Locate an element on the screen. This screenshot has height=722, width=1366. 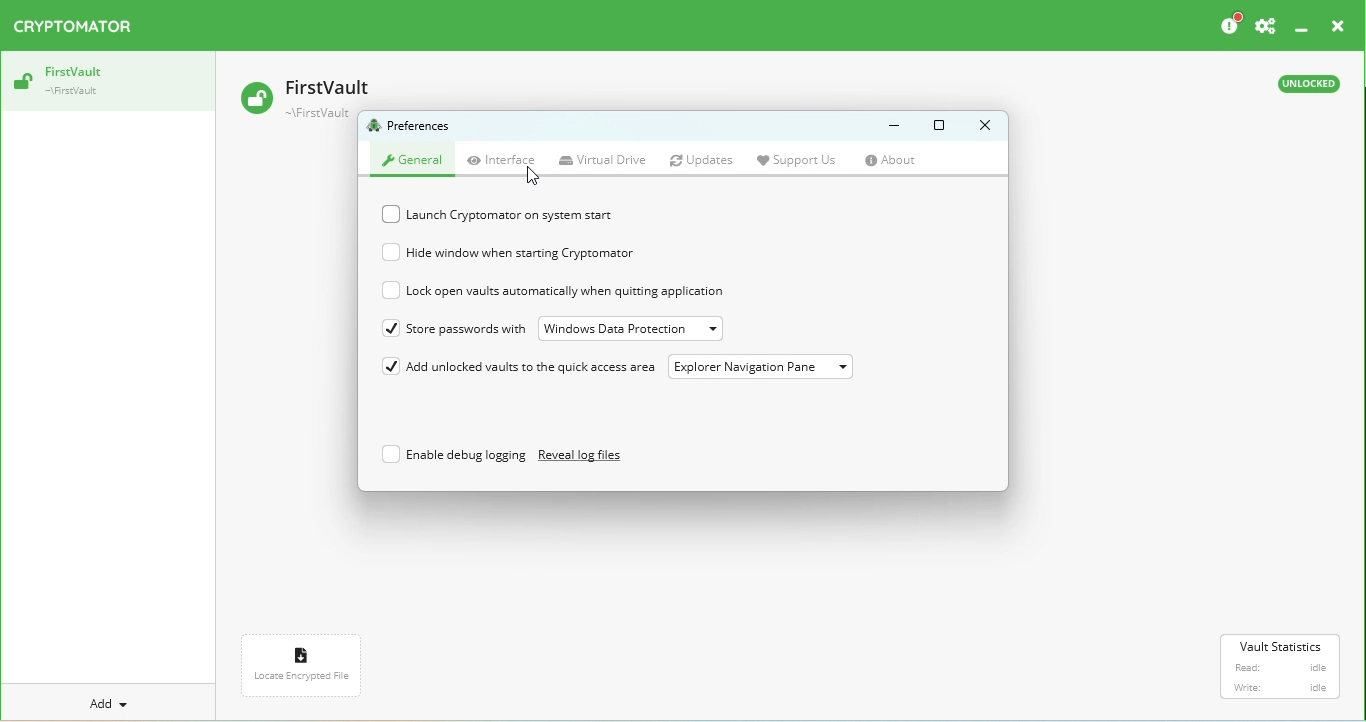
Preferences is located at coordinates (1266, 26).